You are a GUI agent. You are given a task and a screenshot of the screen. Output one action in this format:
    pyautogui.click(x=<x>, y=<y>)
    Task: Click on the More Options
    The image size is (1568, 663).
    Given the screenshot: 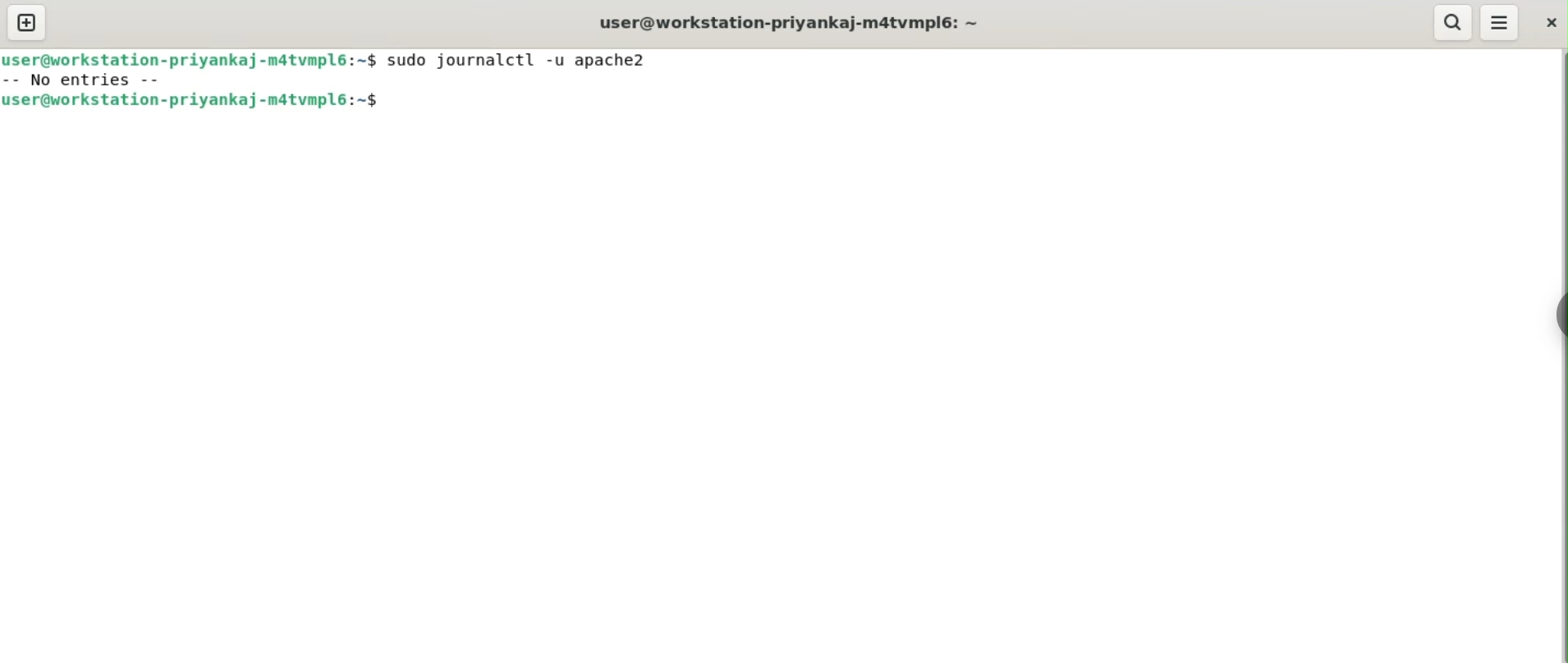 What is the action you would take?
    pyautogui.click(x=1500, y=22)
    